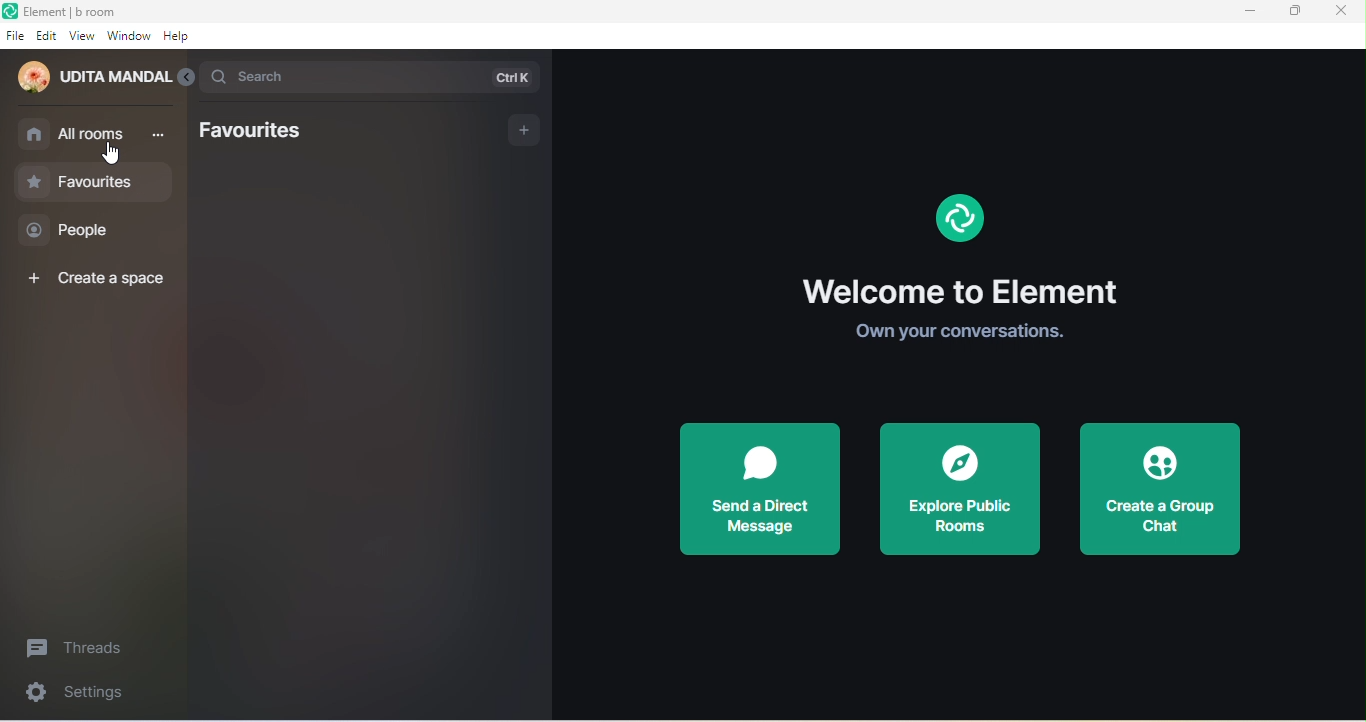  What do you see at coordinates (513, 131) in the screenshot?
I see `add` at bounding box center [513, 131].